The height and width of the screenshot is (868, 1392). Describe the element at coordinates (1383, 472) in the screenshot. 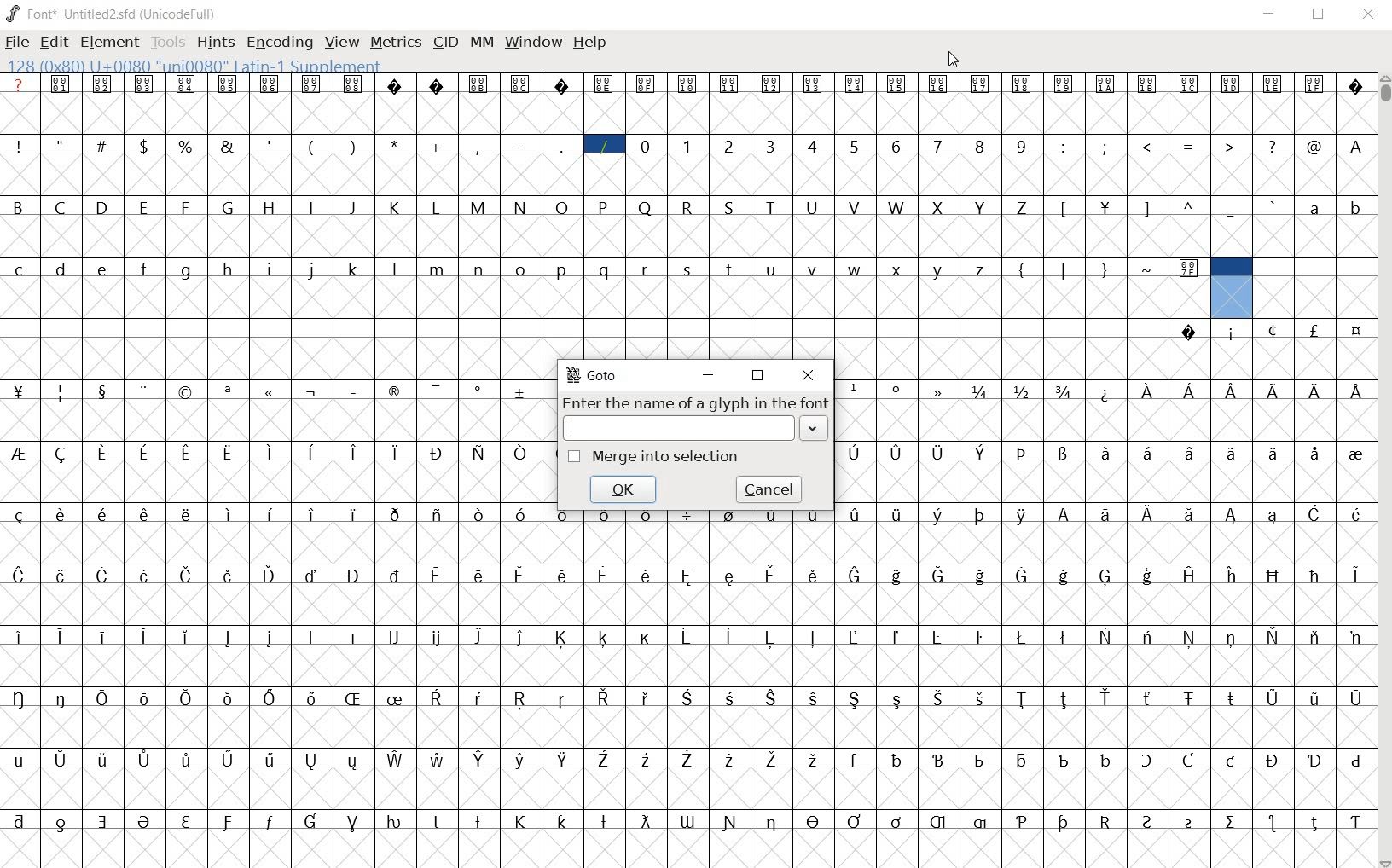

I see `SCROLLBAR` at that location.